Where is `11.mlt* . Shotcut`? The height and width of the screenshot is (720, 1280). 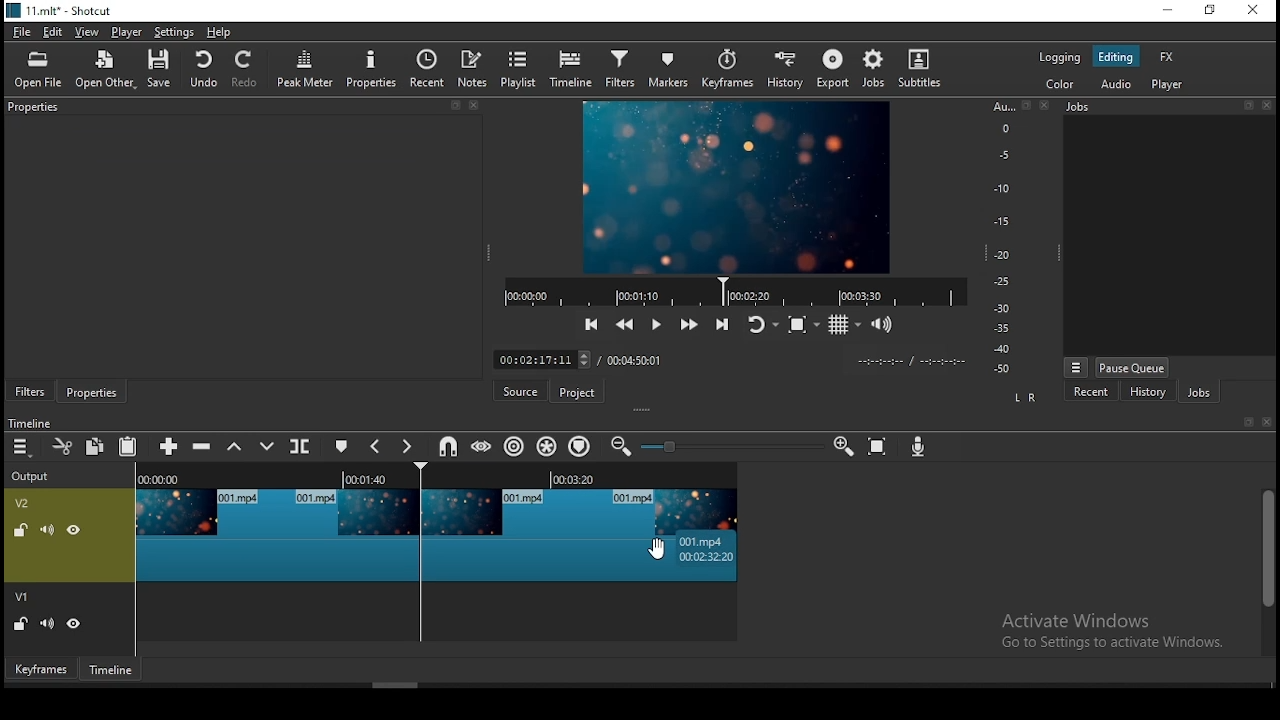 11.mlt* . Shotcut is located at coordinates (59, 10).